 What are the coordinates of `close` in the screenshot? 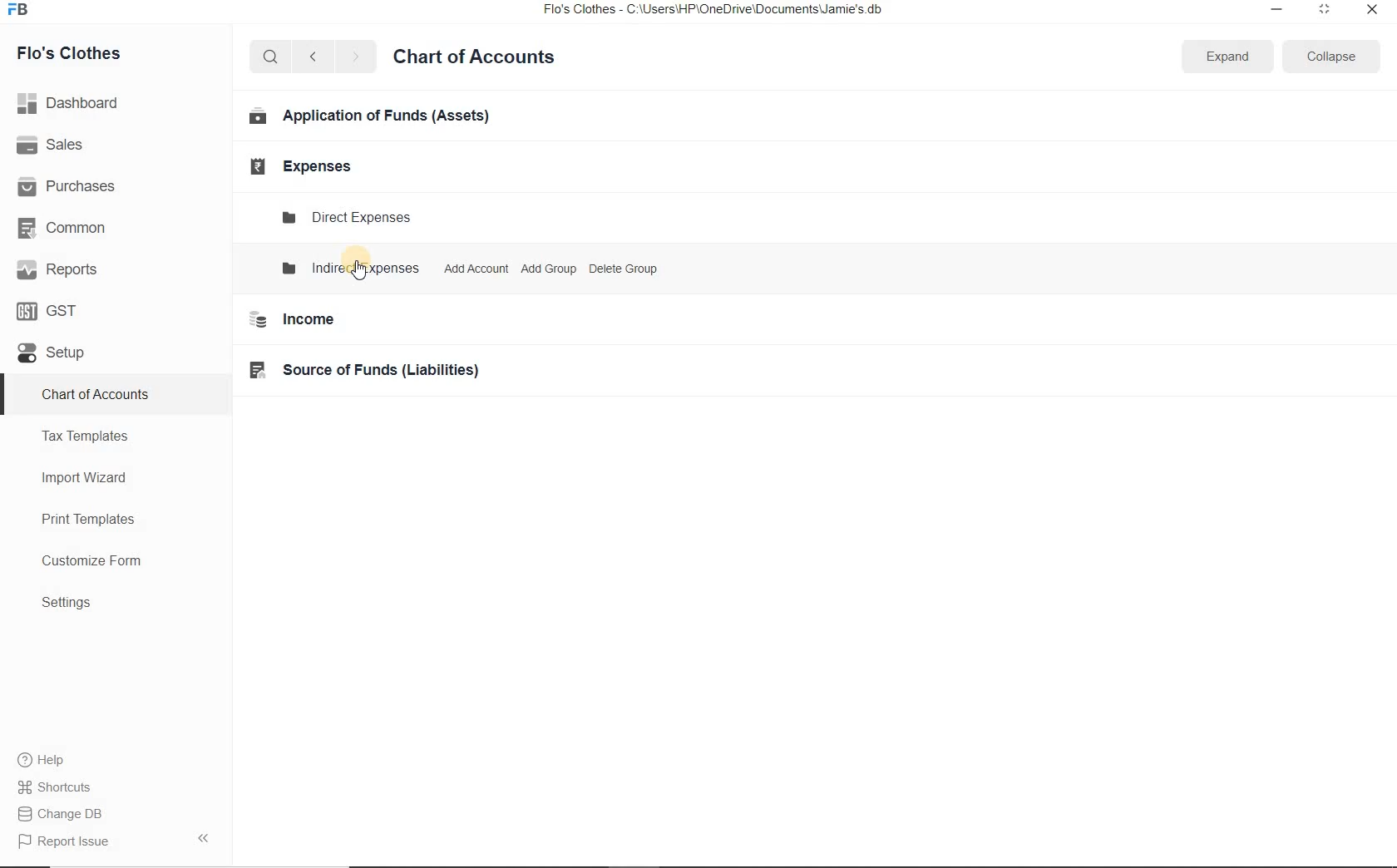 It's located at (1370, 13).